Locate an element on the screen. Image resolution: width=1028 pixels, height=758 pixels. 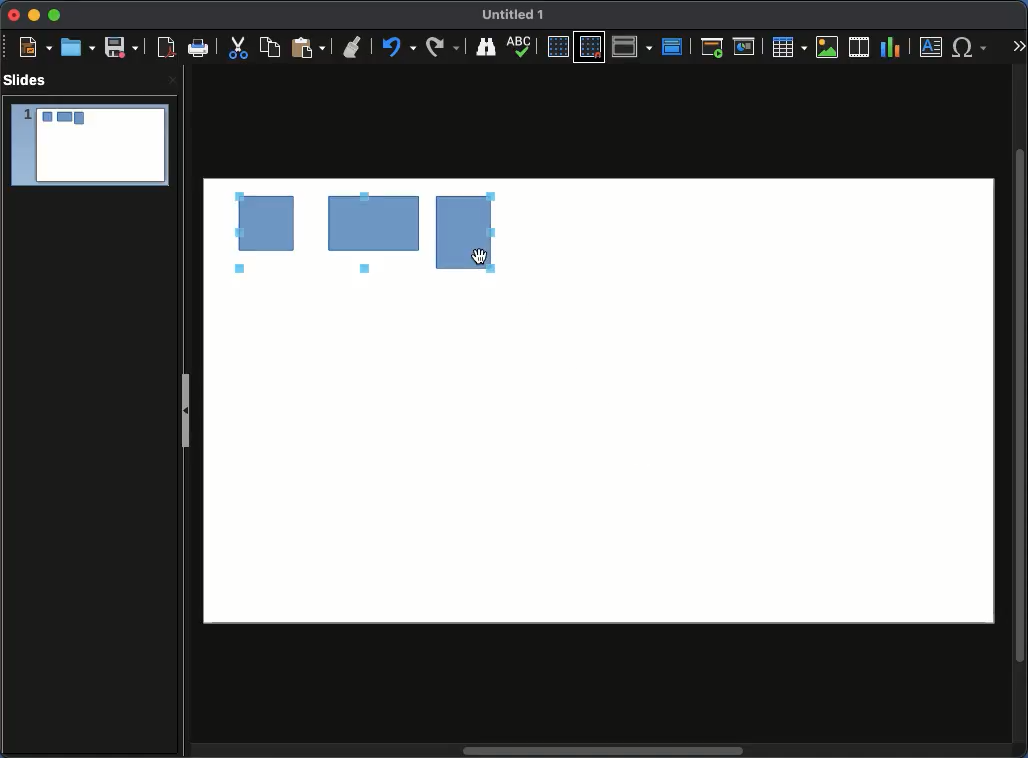
Scroll bar is located at coordinates (607, 750).